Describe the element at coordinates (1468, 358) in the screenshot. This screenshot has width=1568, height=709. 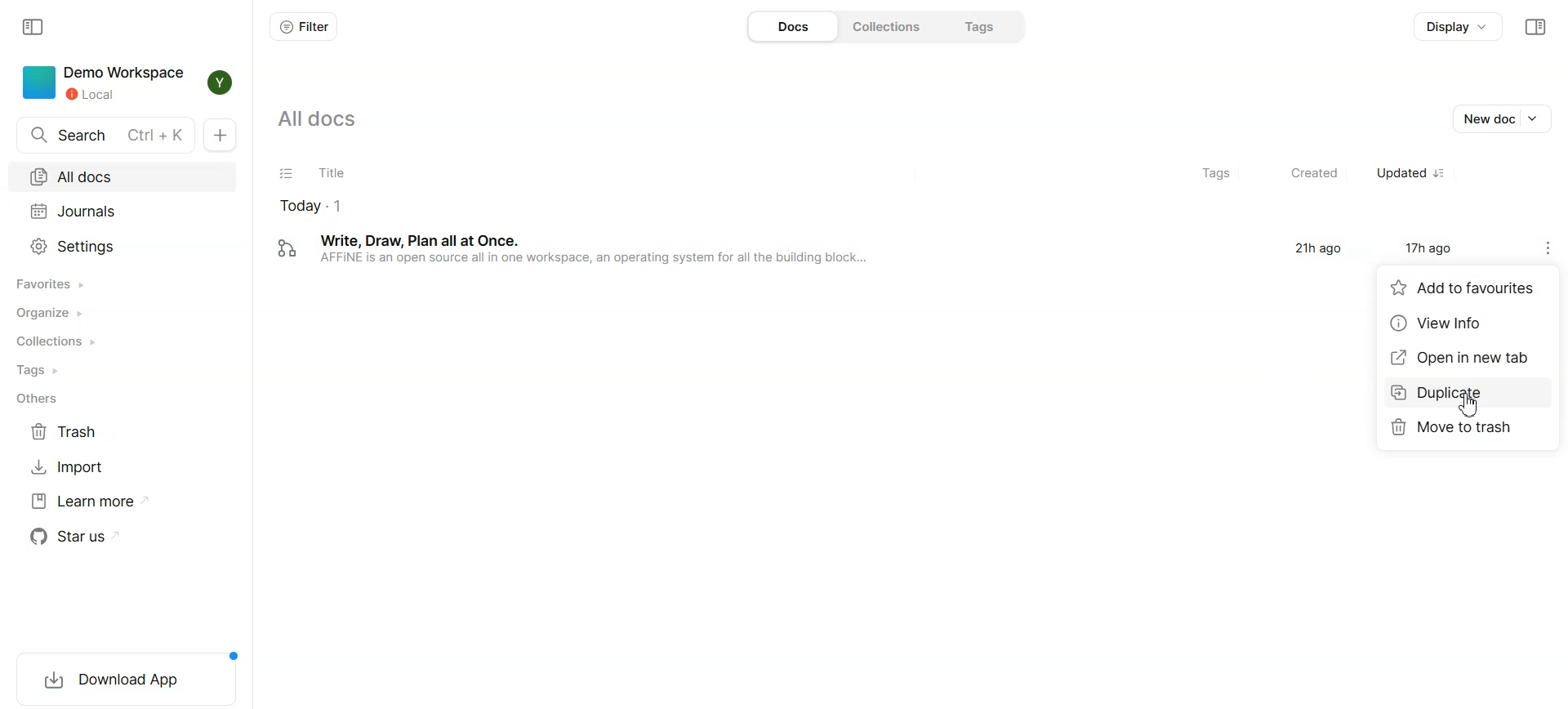
I see `Open in new tab` at that location.